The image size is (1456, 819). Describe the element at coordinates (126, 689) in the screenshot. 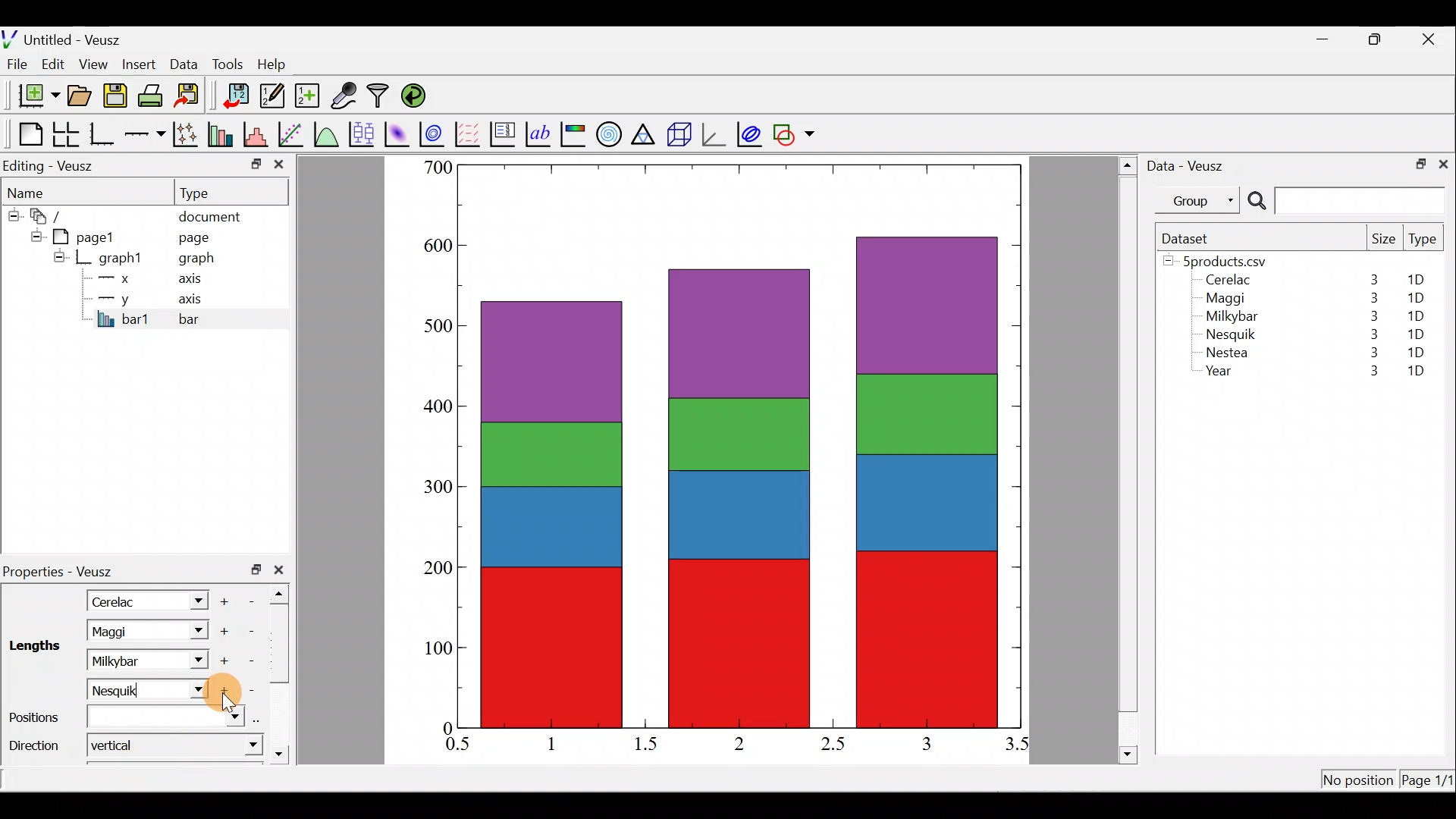

I see `Nasquik` at that location.